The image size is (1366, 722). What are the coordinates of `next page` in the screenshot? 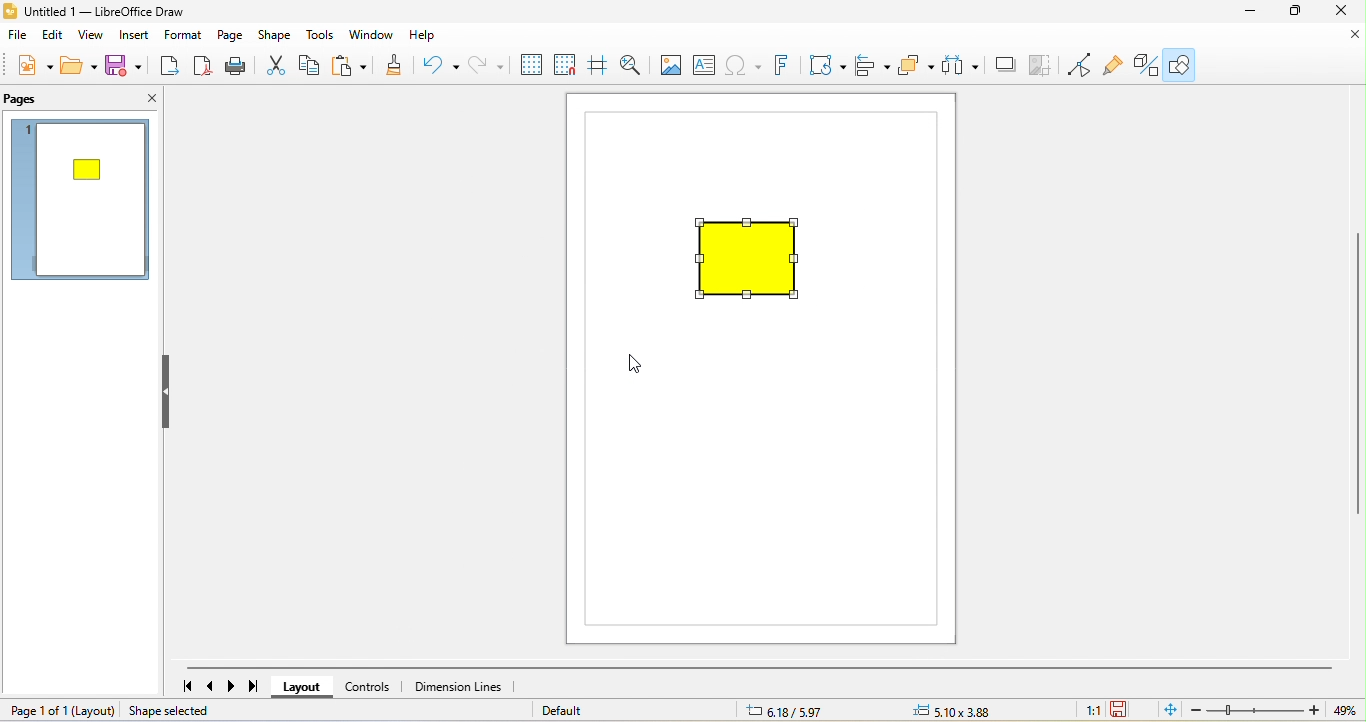 It's located at (235, 687).